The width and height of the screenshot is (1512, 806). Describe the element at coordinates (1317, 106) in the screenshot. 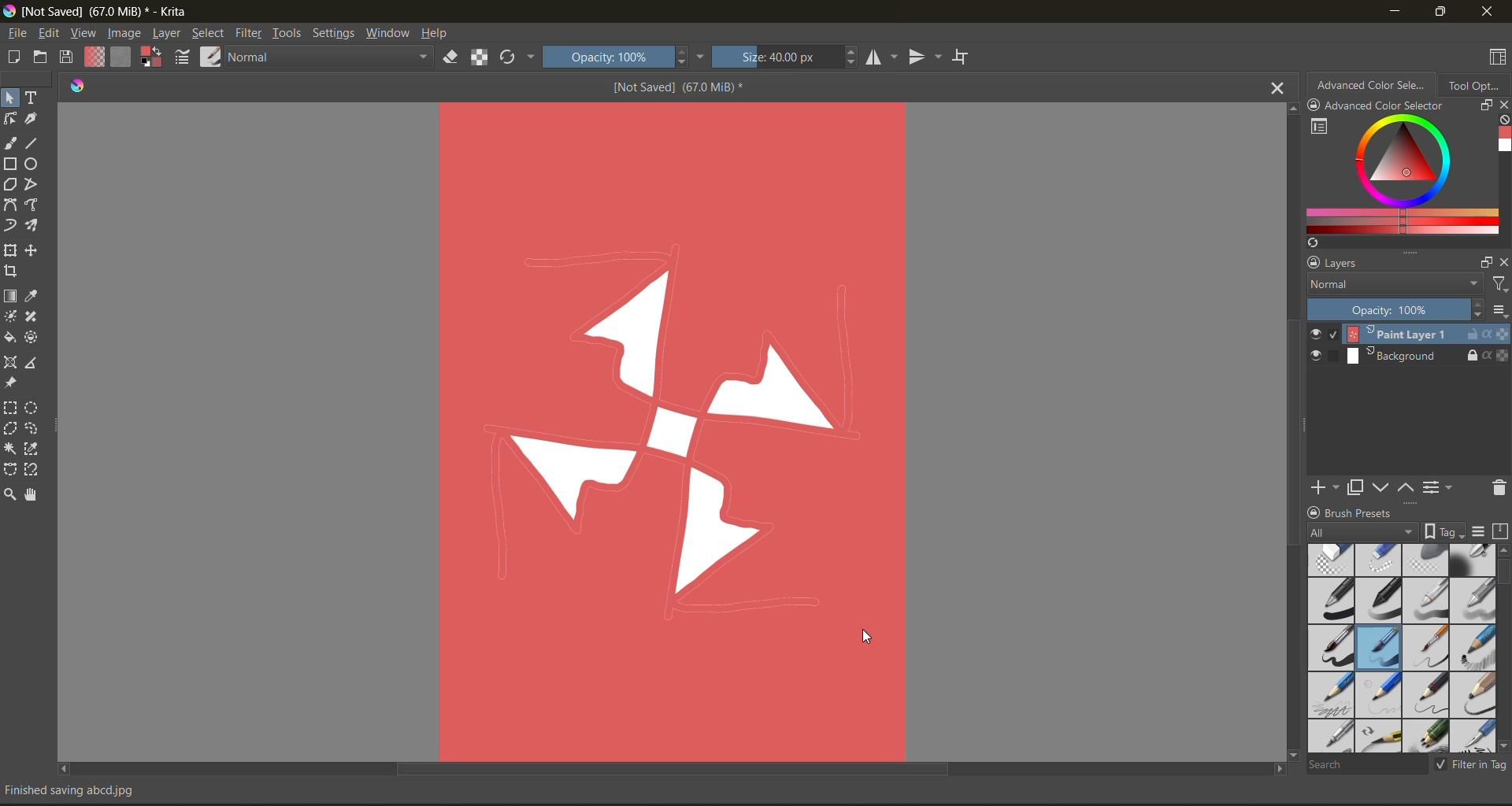

I see `lock/unlock docker` at that location.